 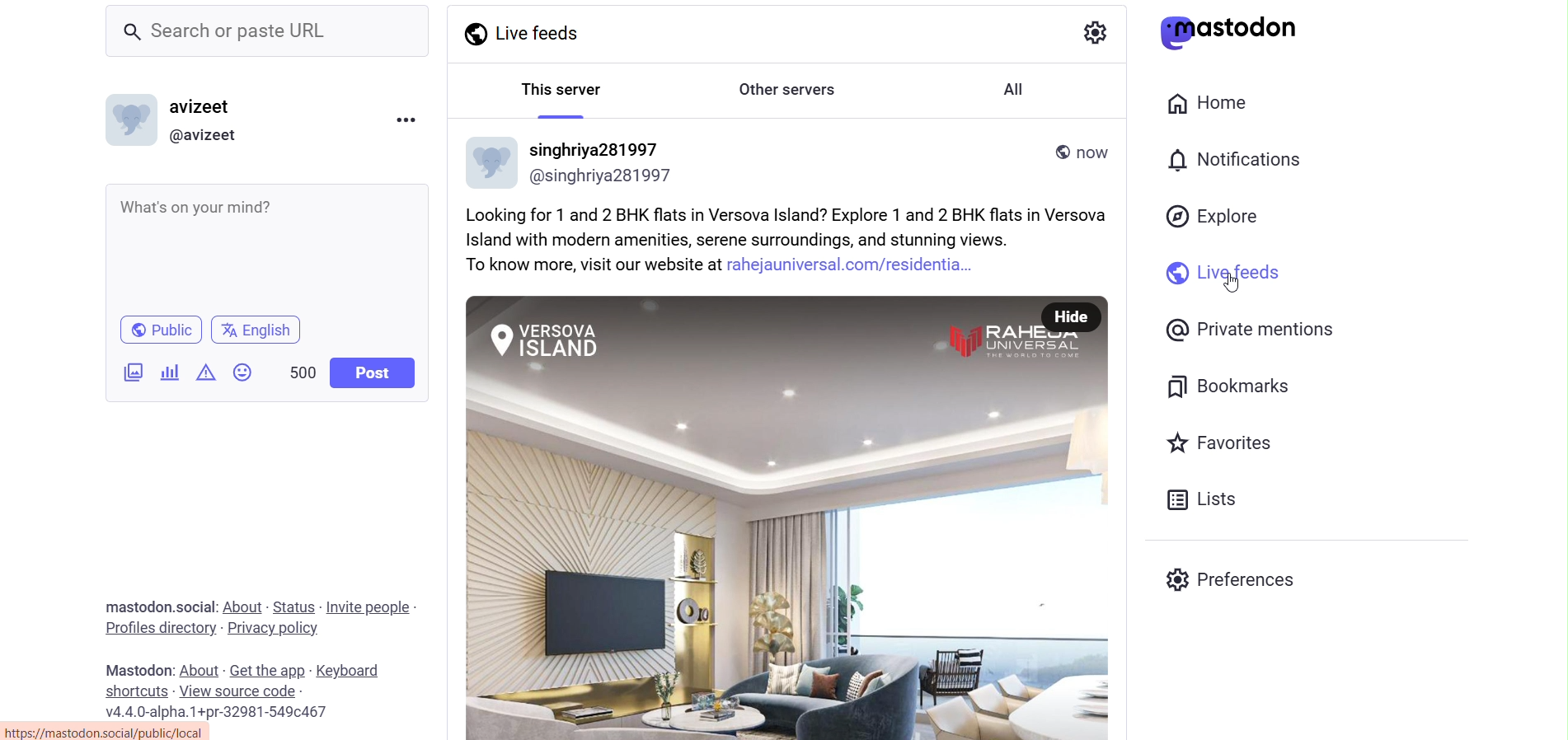 What do you see at coordinates (292, 605) in the screenshot?
I see `status` at bounding box center [292, 605].